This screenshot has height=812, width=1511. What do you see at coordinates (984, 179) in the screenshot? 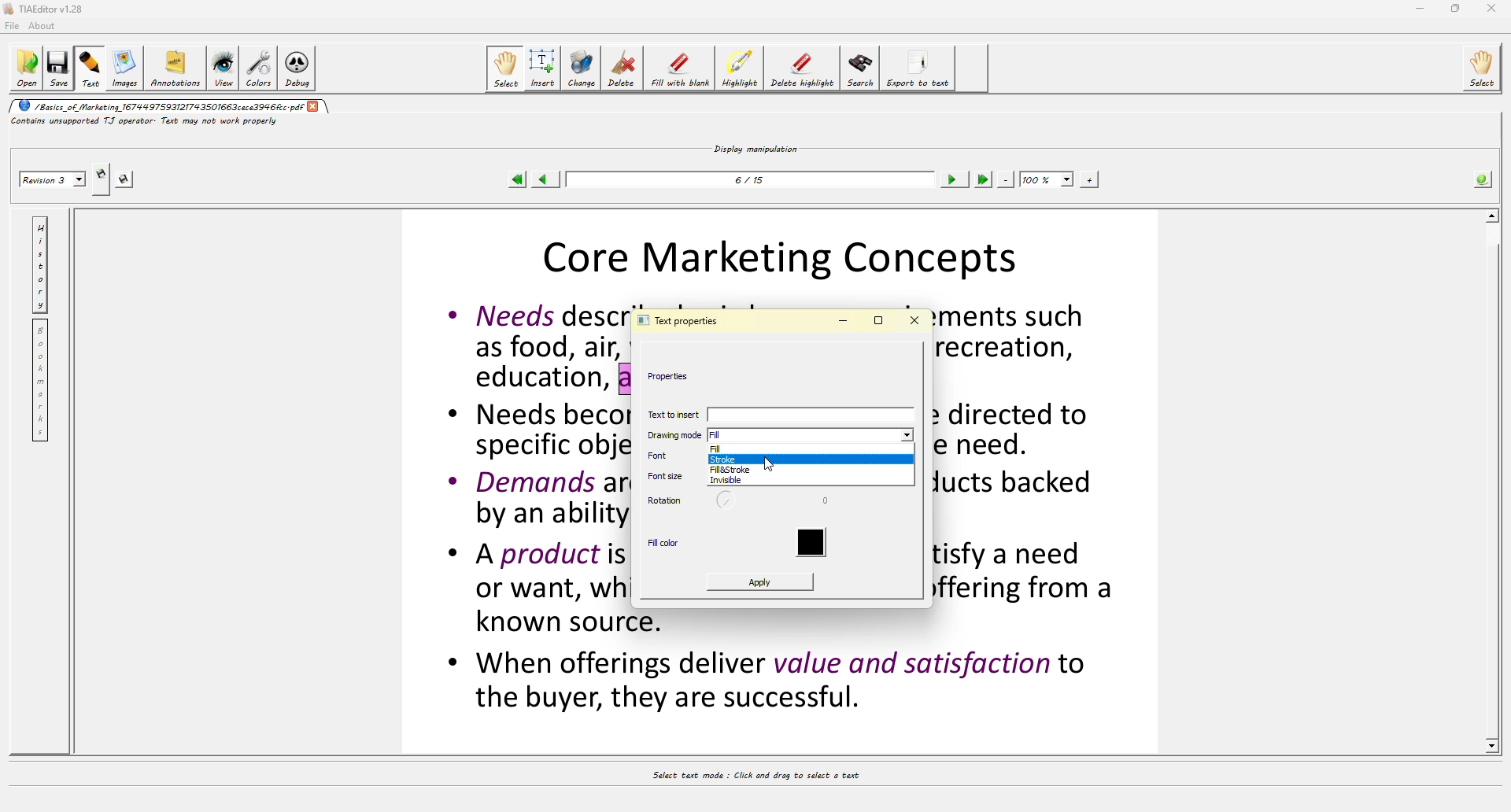
I see `last page` at bounding box center [984, 179].